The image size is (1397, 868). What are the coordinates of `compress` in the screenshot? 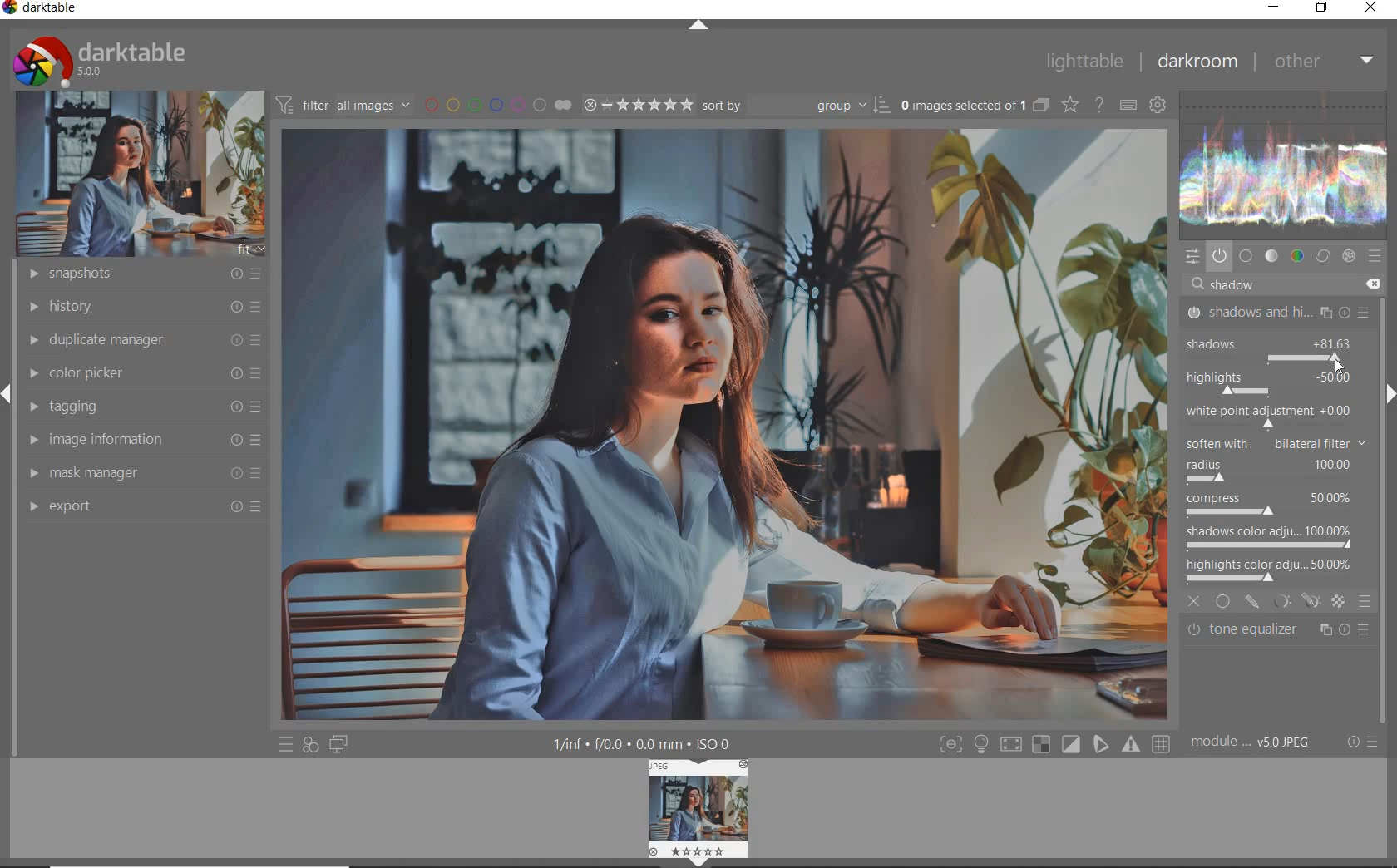 It's located at (1271, 506).